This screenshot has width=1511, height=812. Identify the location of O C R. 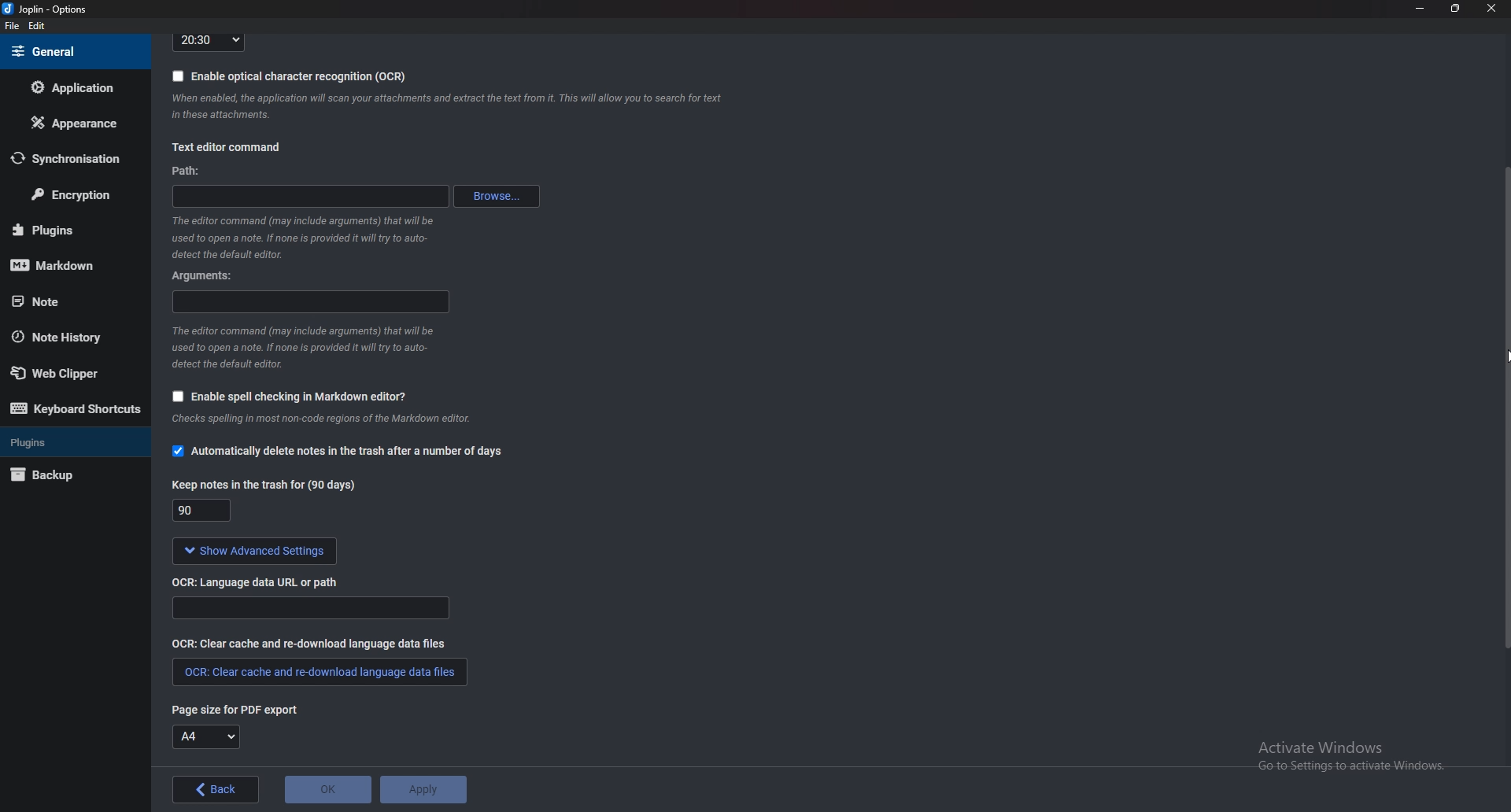
(262, 581).